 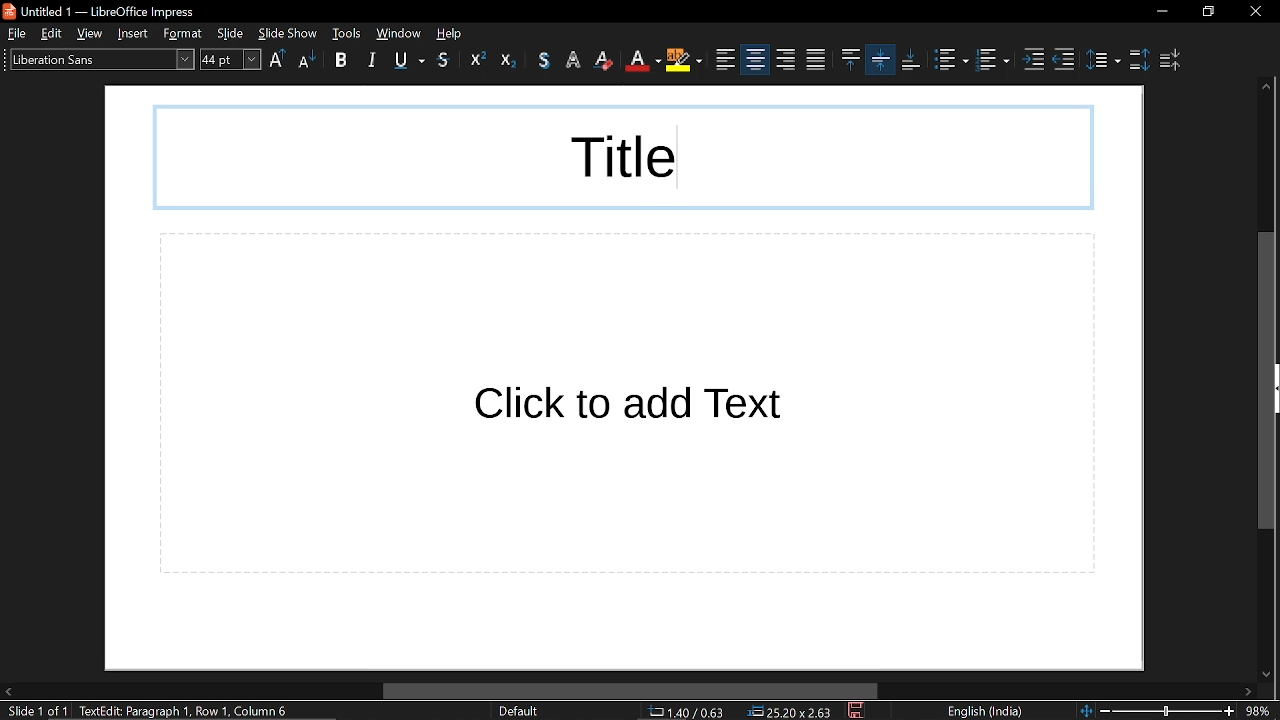 I want to click on subscript, so click(x=508, y=60).